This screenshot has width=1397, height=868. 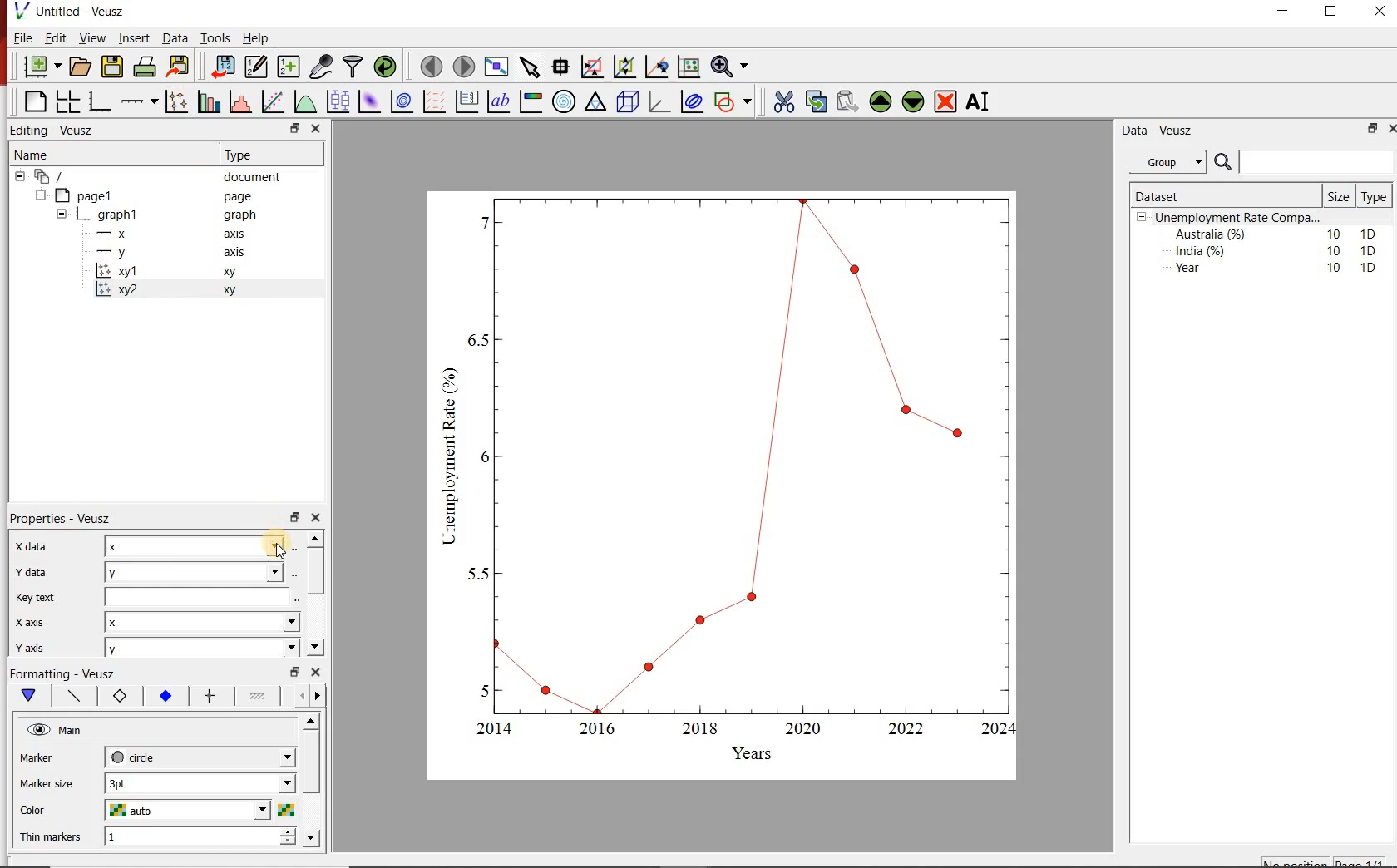 What do you see at coordinates (1371, 128) in the screenshot?
I see `minimise` at bounding box center [1371, 128].